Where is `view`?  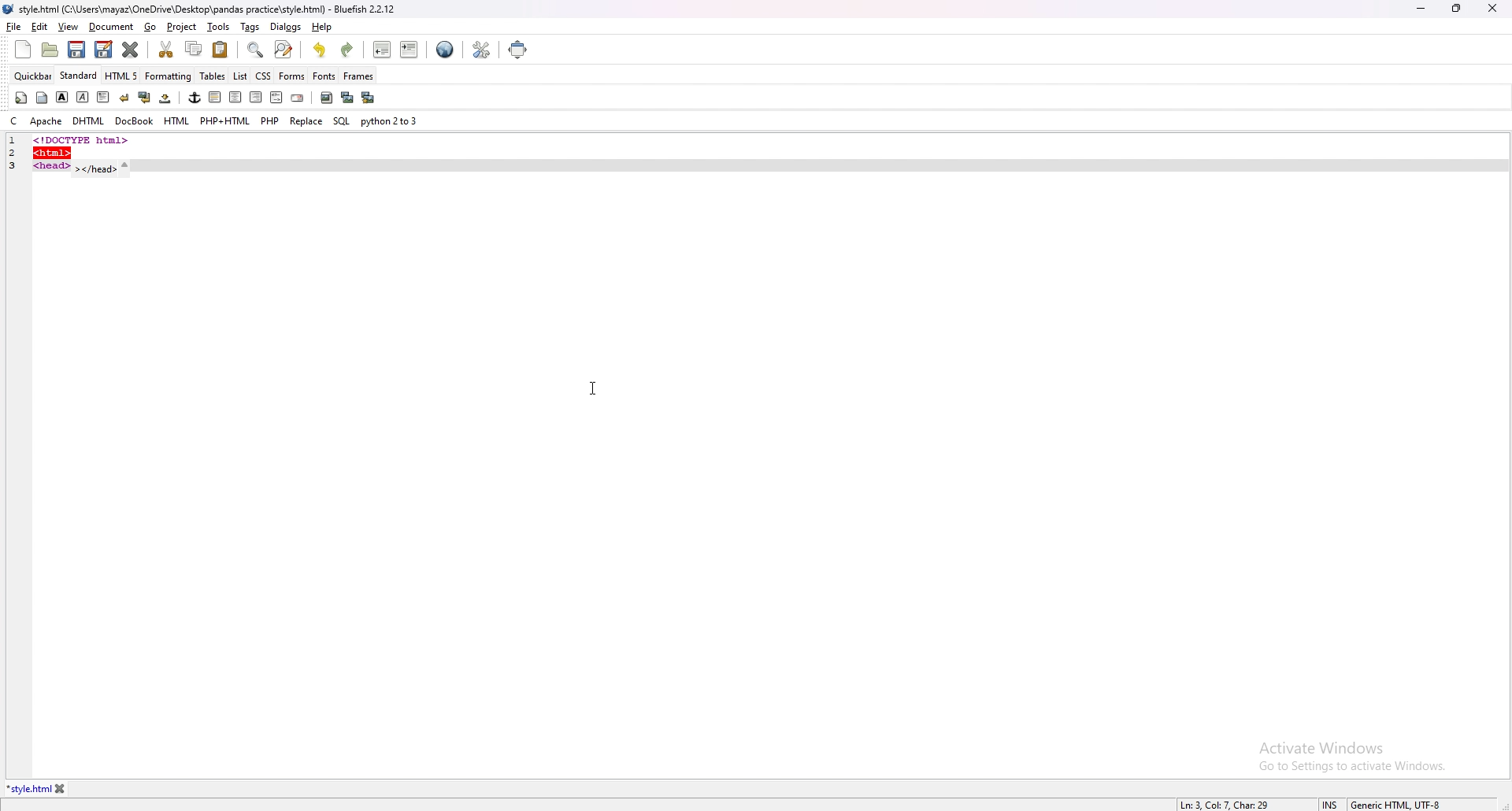
view is located at coordinates (68, 27).